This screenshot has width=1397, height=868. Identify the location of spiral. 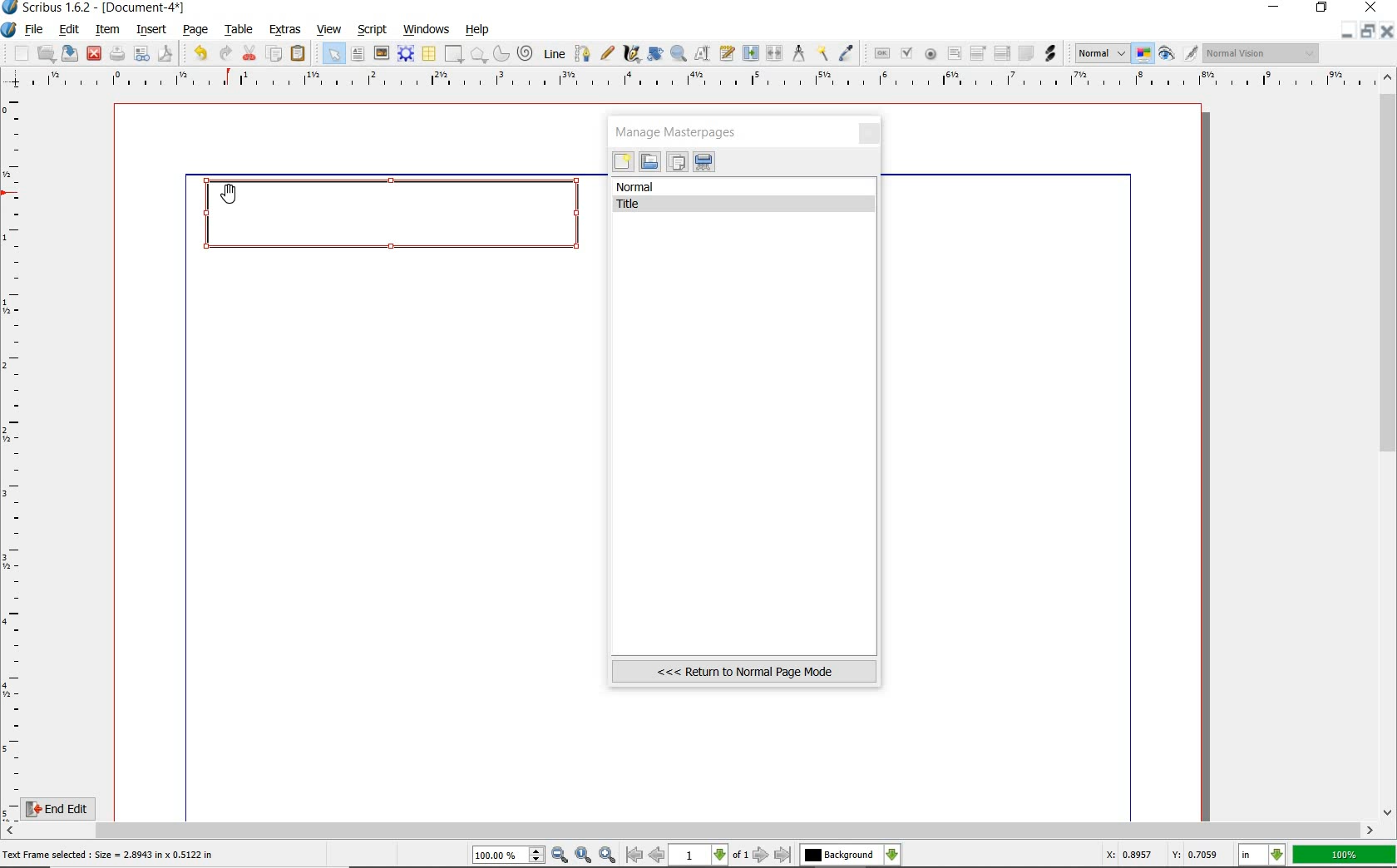
(526, 53).